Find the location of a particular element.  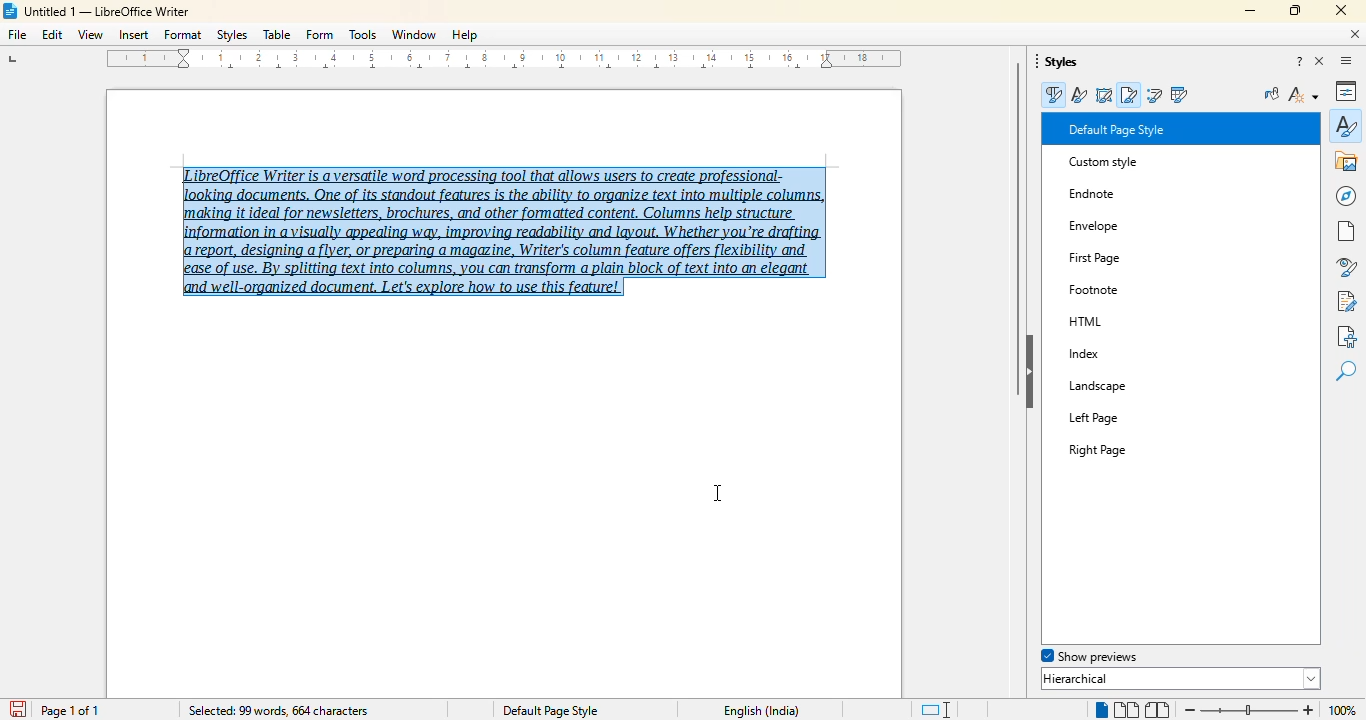

find is located at coordinates (1346, 372).